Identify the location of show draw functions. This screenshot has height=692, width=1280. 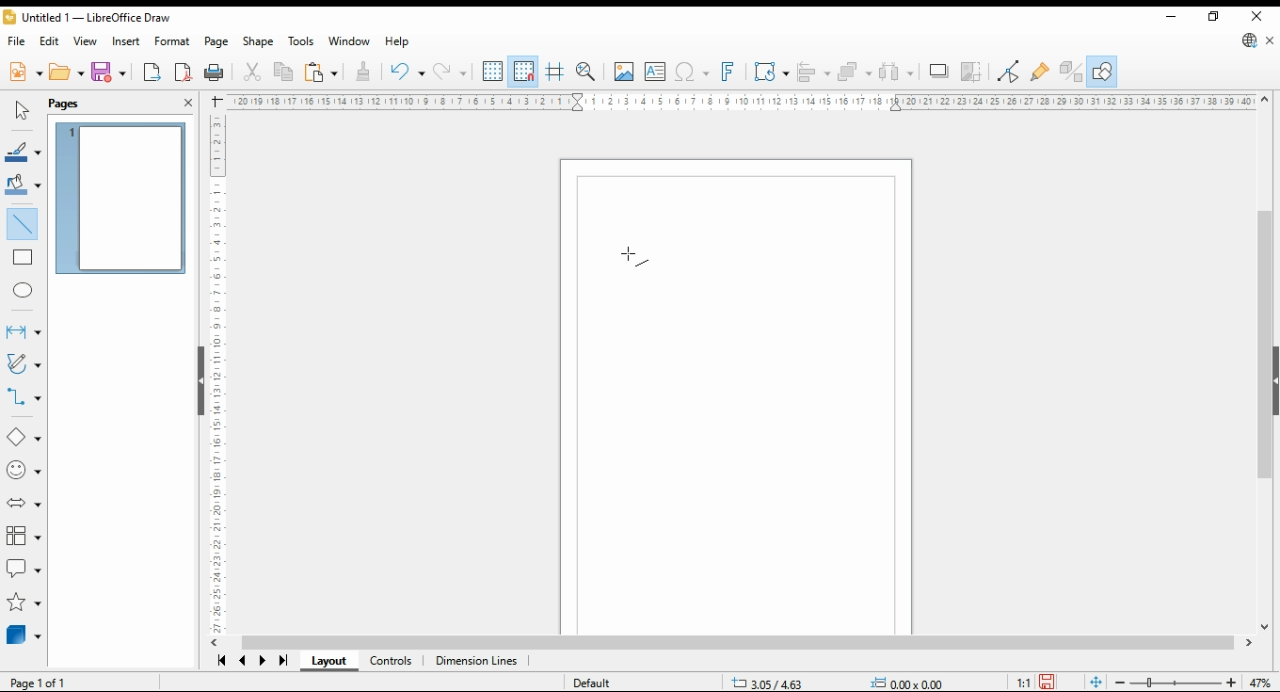
(1102, 71).